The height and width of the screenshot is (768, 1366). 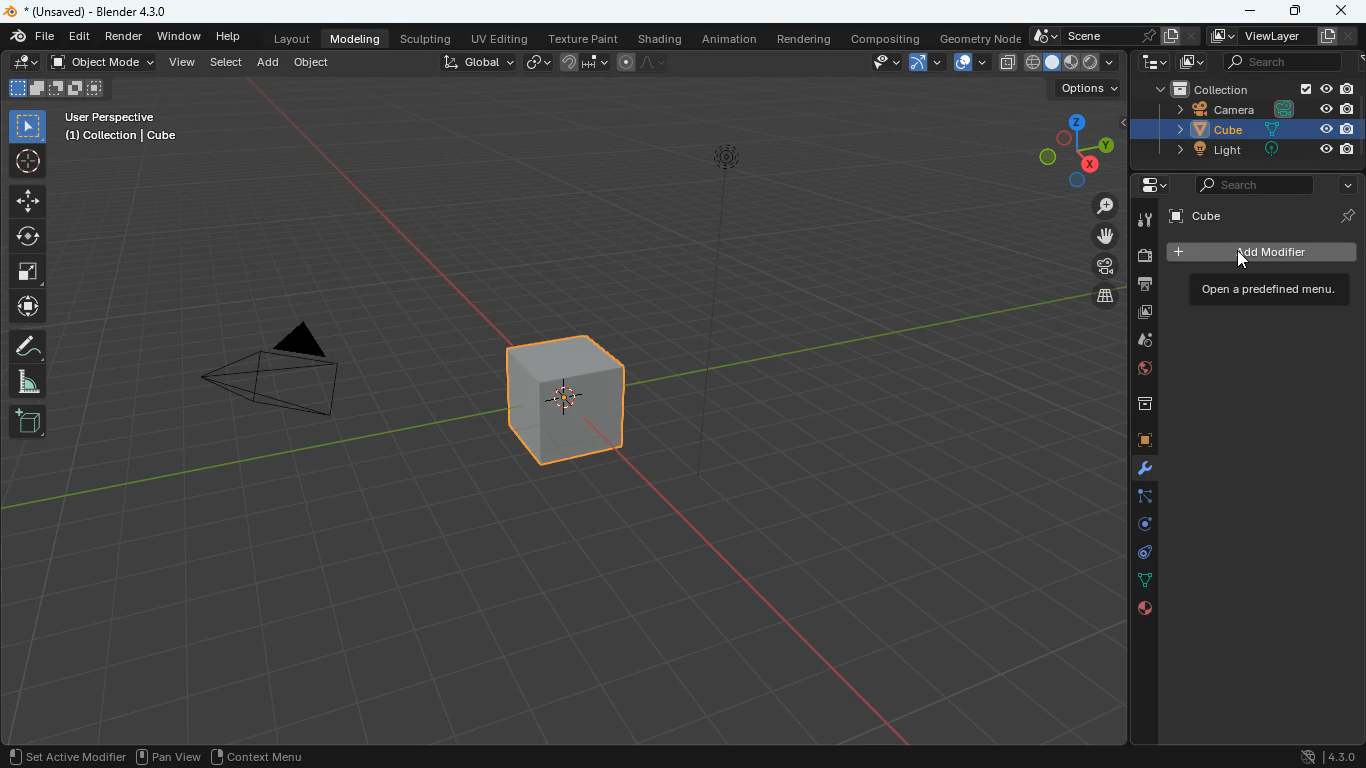 What do you see at coordinates (30, 126) in the screenshot?
I see `select` at bounding box center [30, 126].